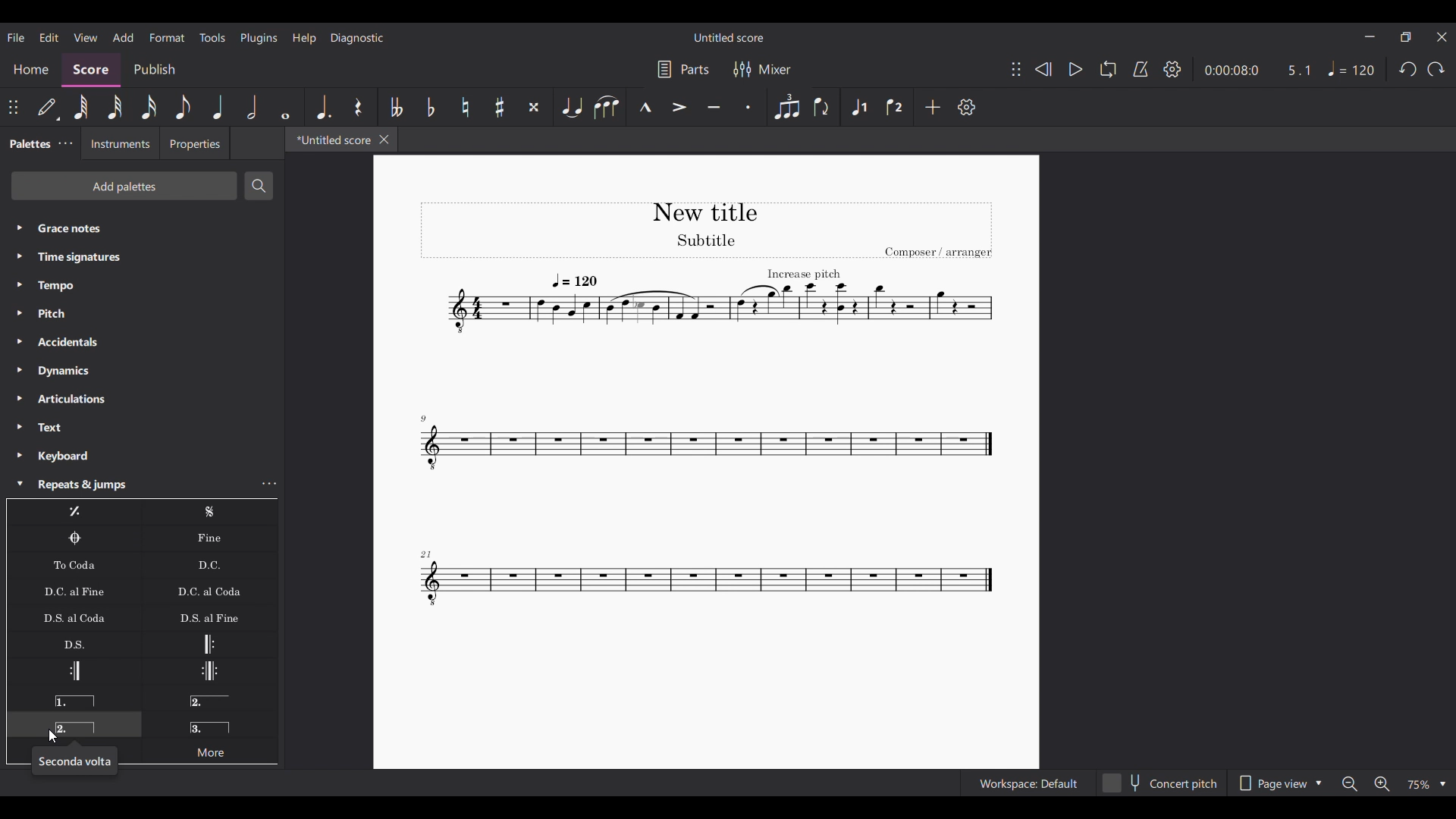  I want to click on Half note, so click(253, 107).